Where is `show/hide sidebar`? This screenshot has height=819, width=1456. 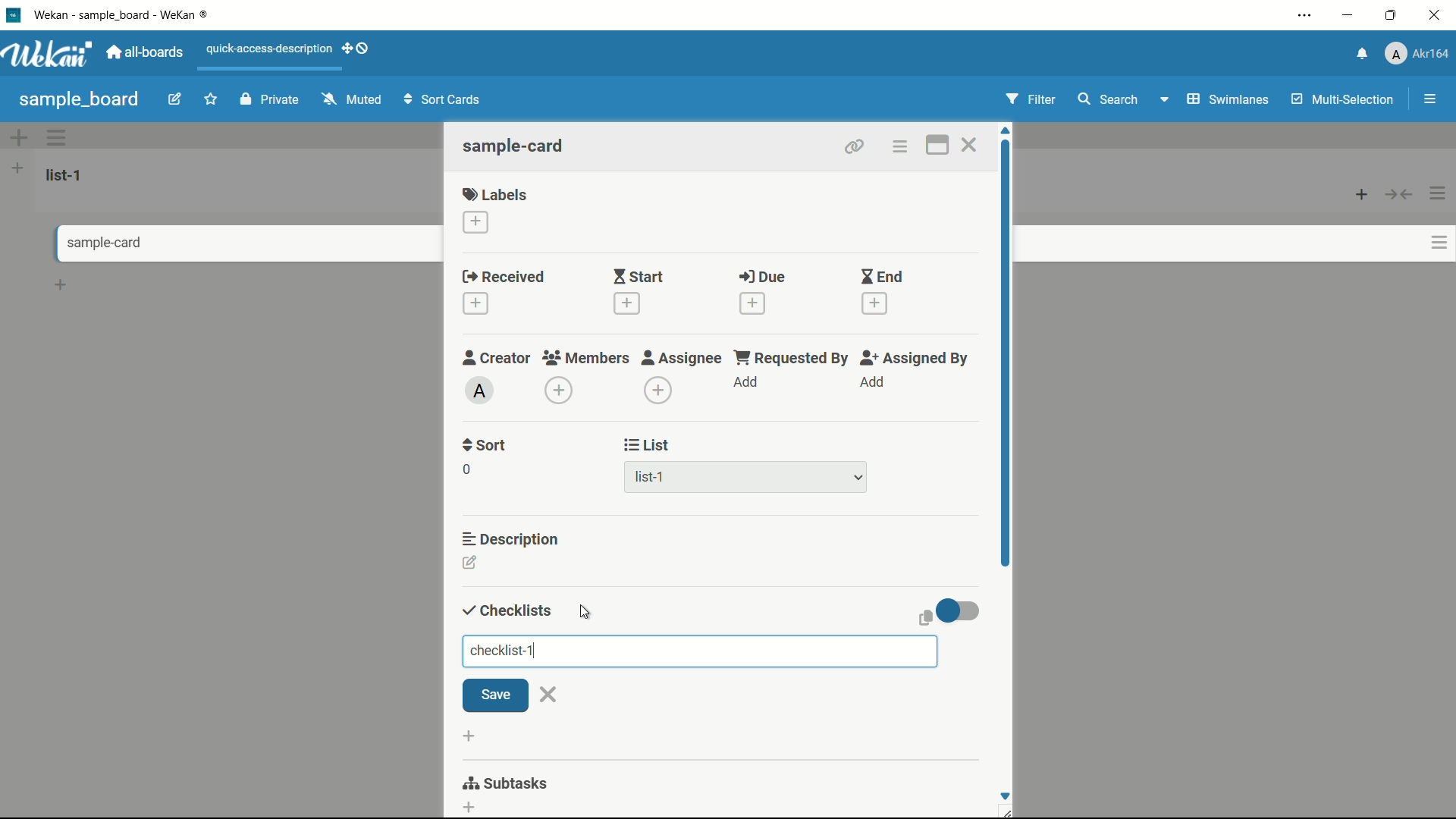
show/hide sidebar is located at coordinates (1432, 99).